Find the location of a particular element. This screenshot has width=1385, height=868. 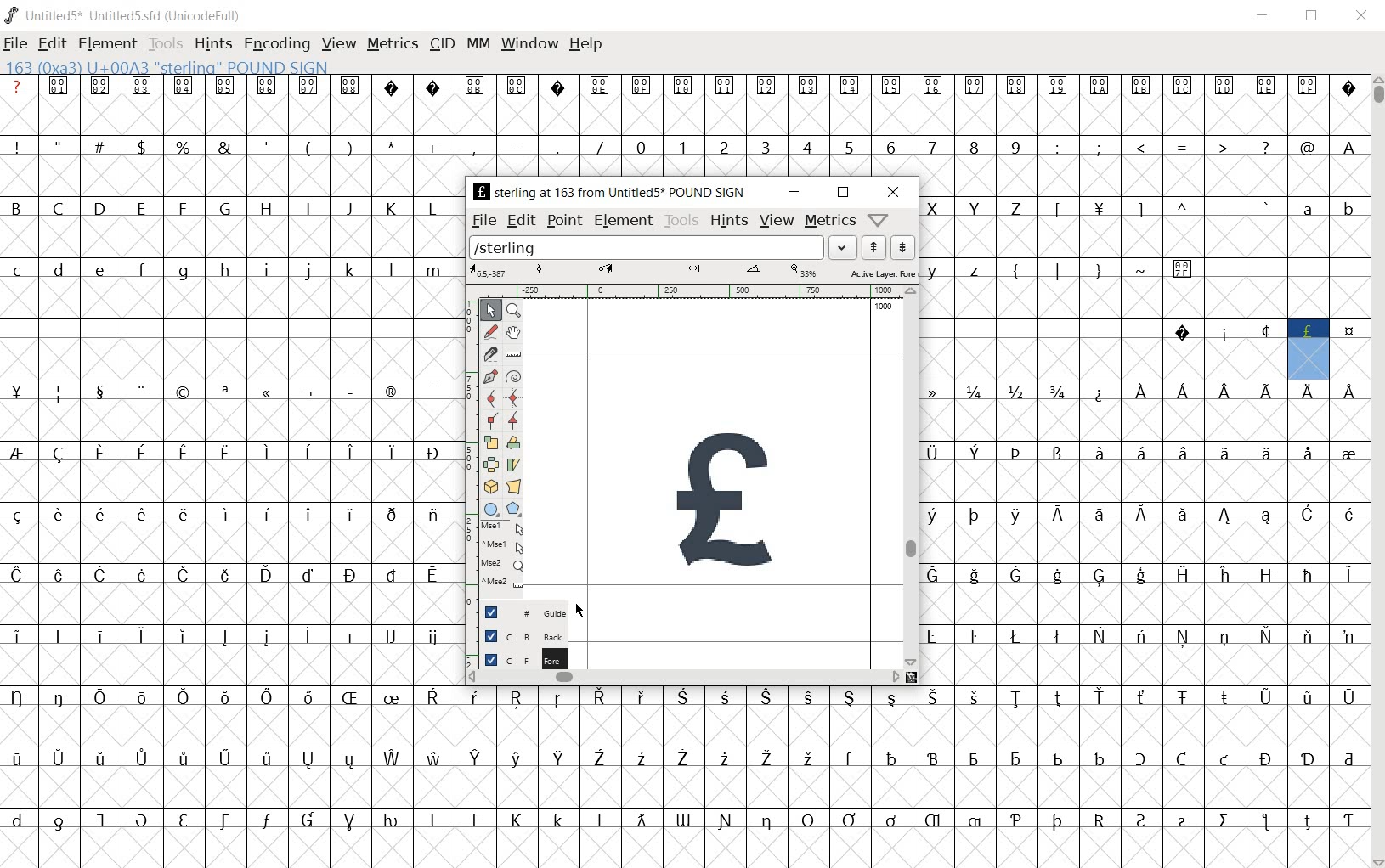

Symbol is located at coordinates (935, 86).